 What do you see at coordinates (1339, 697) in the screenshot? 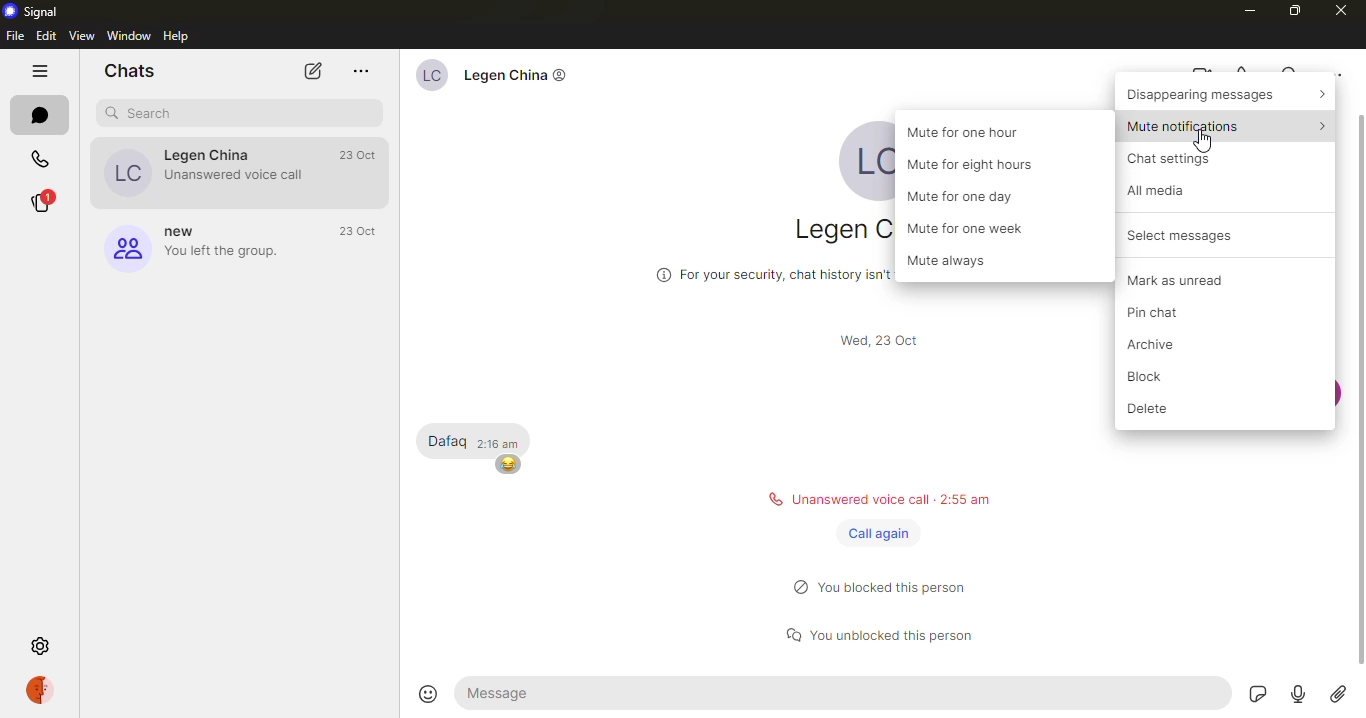
I see `attach` at bounding box center [1339, 697].